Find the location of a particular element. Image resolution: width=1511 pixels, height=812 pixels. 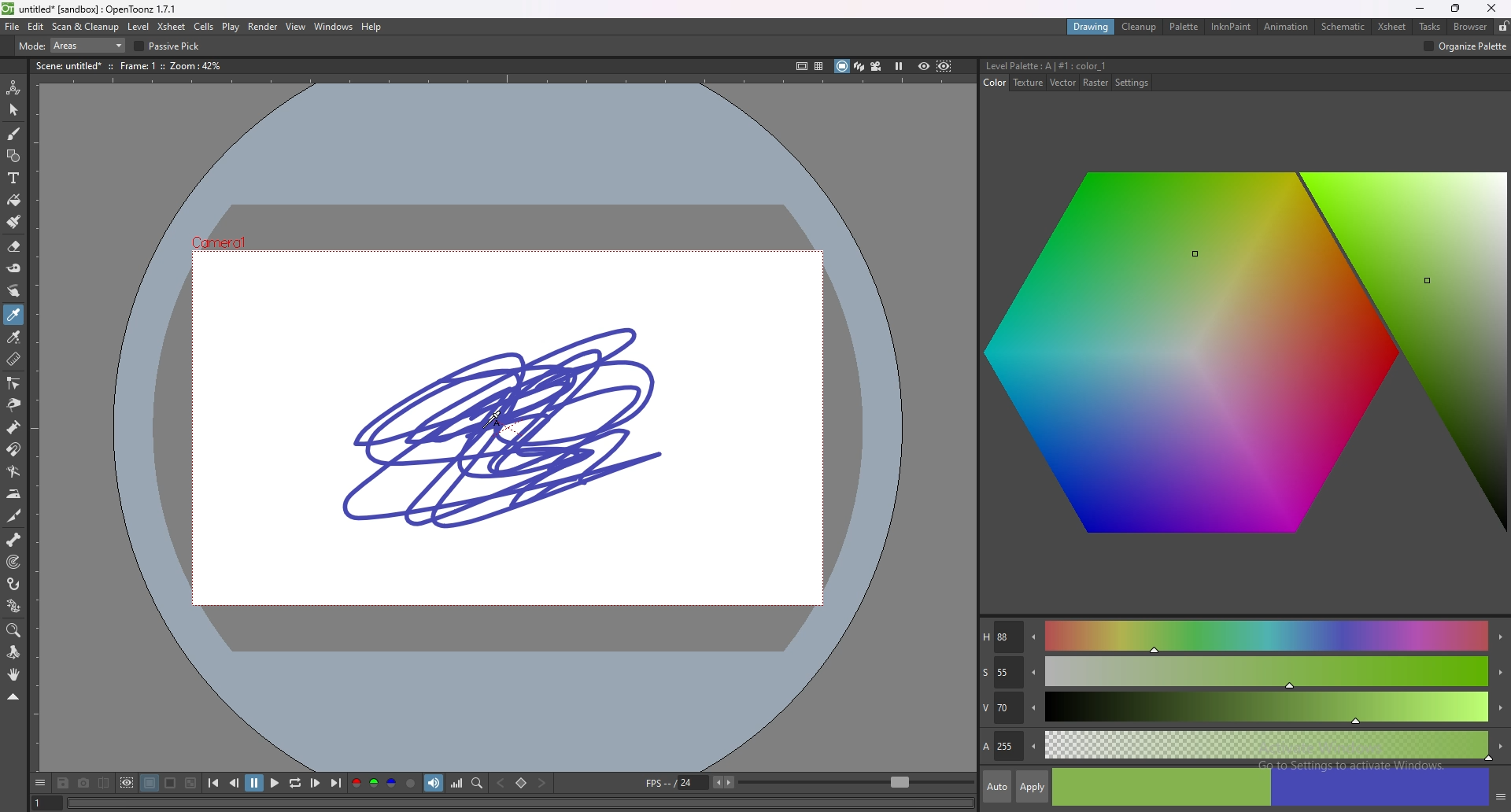

hook tool is located at coordinates (14, 583).